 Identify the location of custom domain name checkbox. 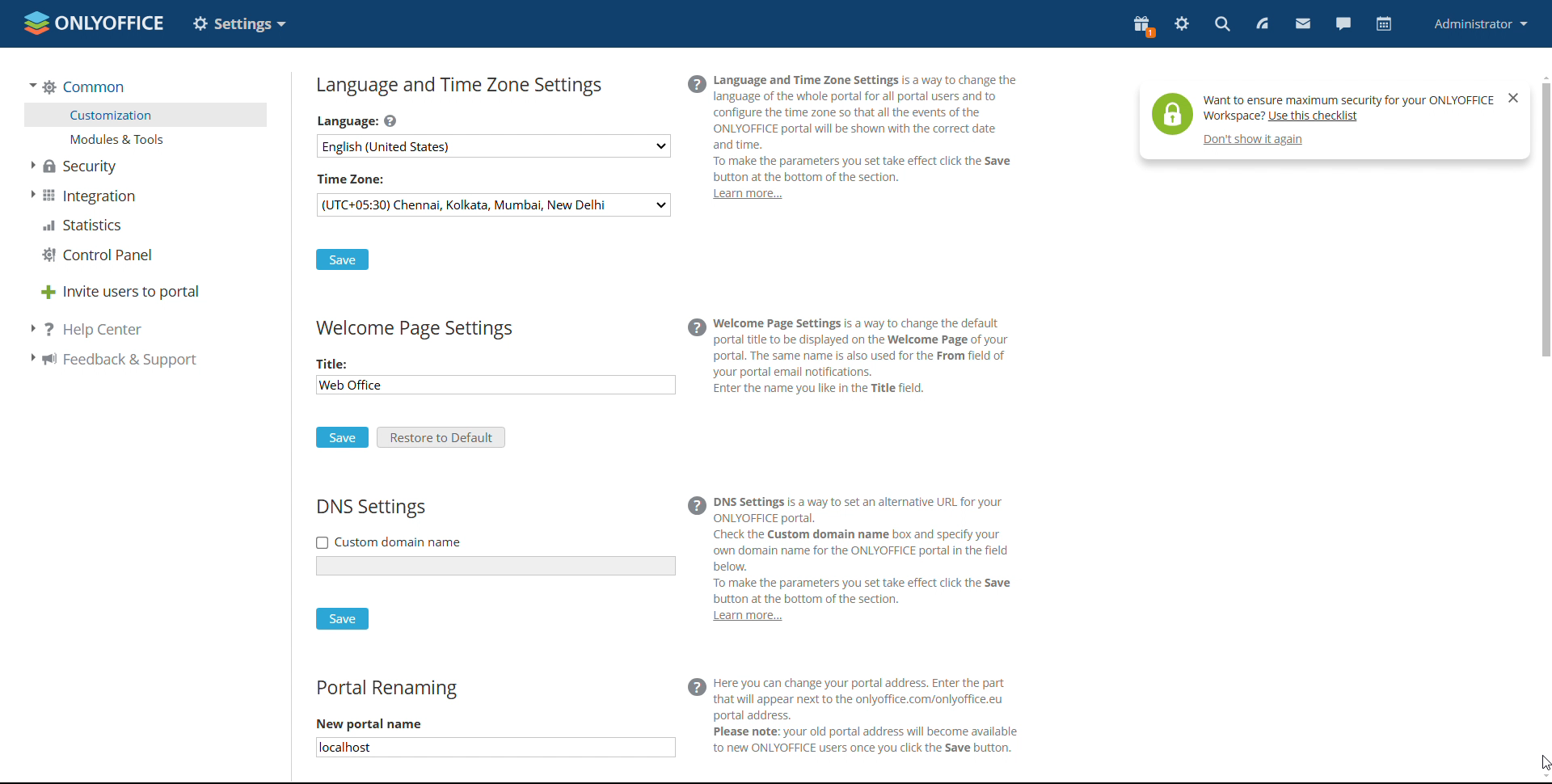
(388, 542).